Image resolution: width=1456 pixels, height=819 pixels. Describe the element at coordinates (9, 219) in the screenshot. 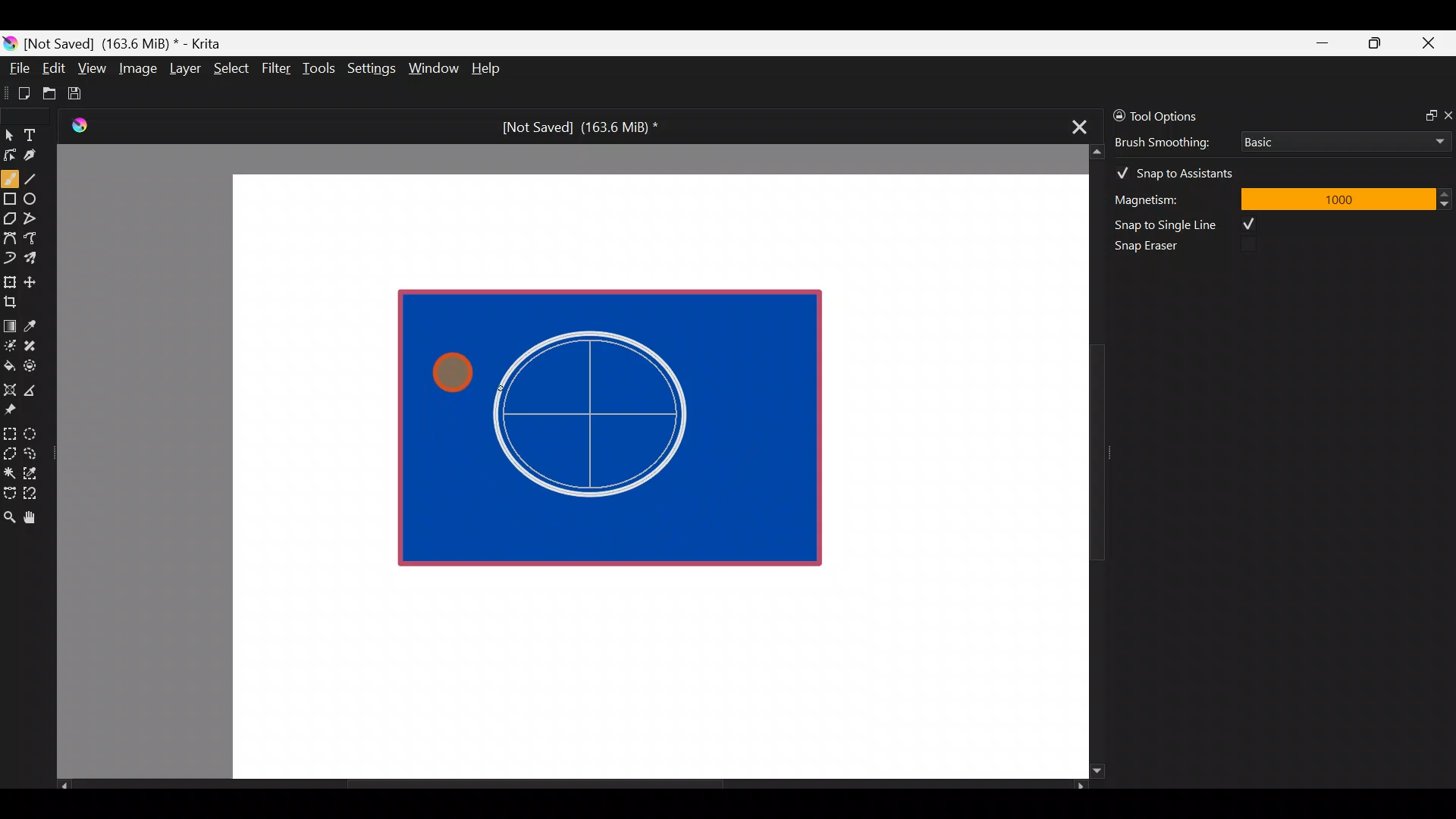

I see `Polygon tool` at that location.